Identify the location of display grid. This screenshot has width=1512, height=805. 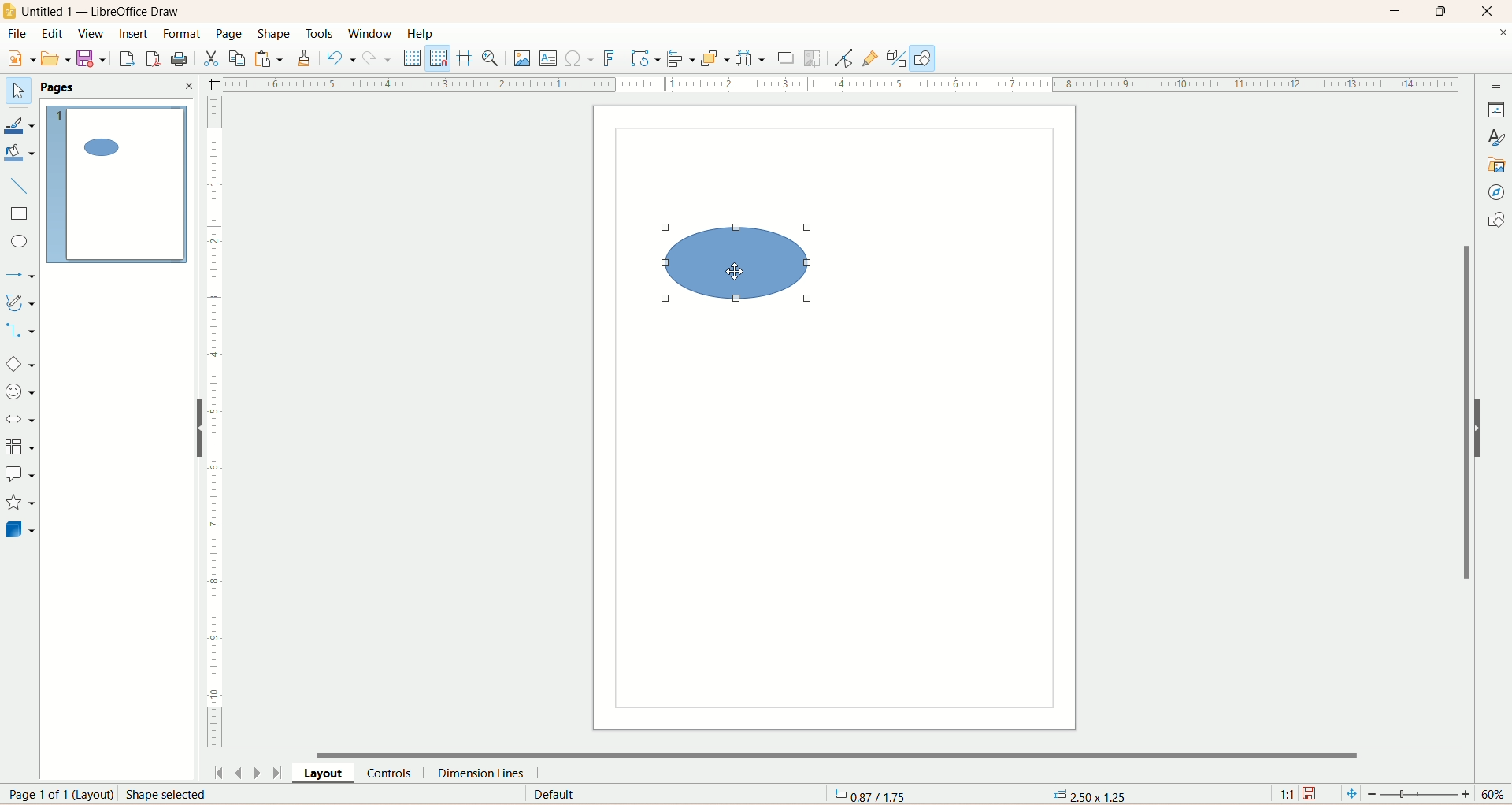
(413, 58).